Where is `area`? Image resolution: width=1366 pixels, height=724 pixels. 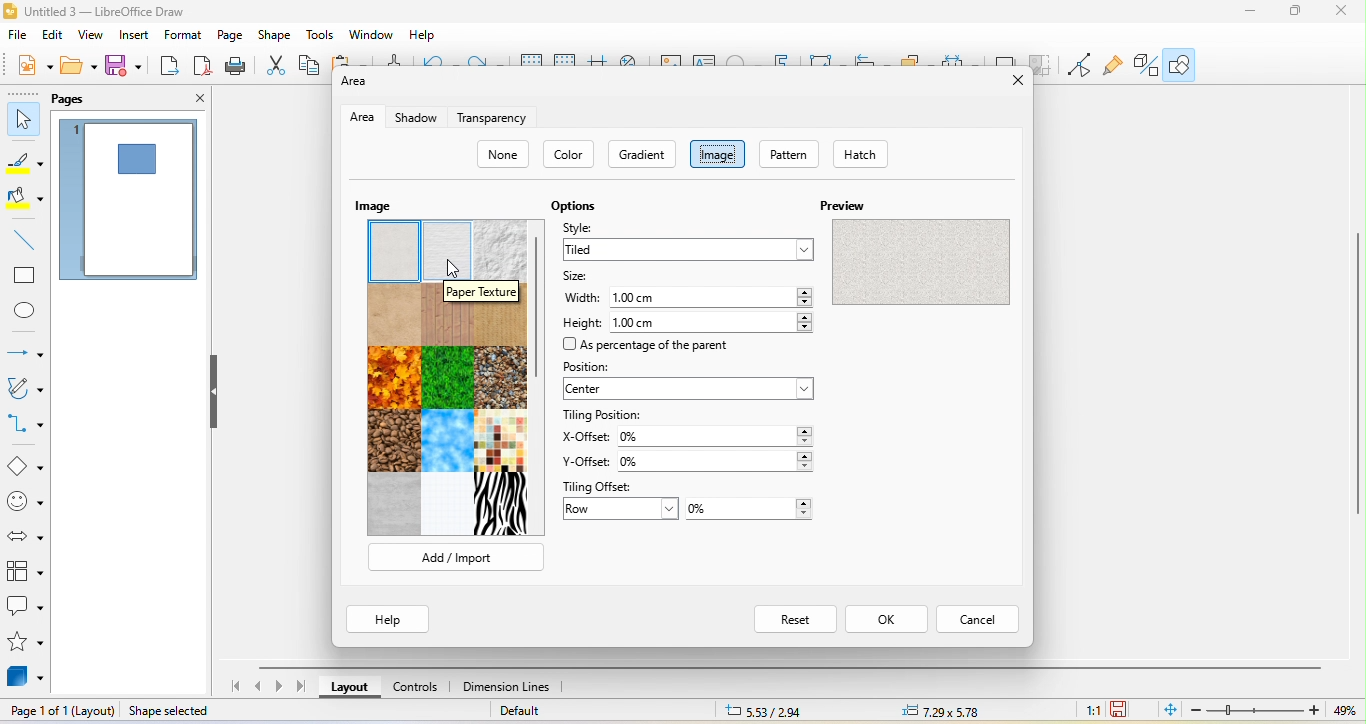 area is located at coordinates (359, 83).